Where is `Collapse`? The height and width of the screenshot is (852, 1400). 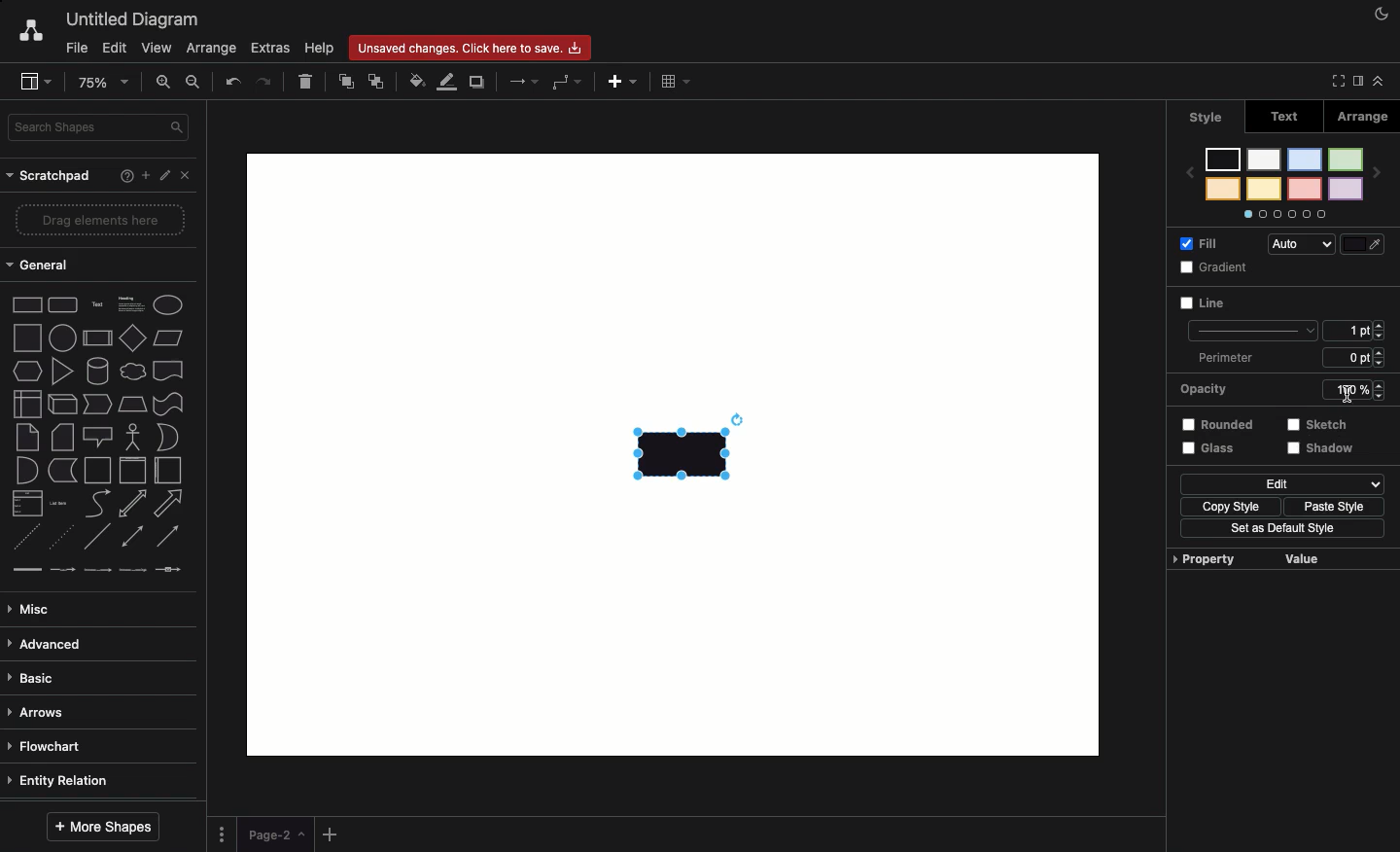 Collapse is located at coordinates (1378, 82).